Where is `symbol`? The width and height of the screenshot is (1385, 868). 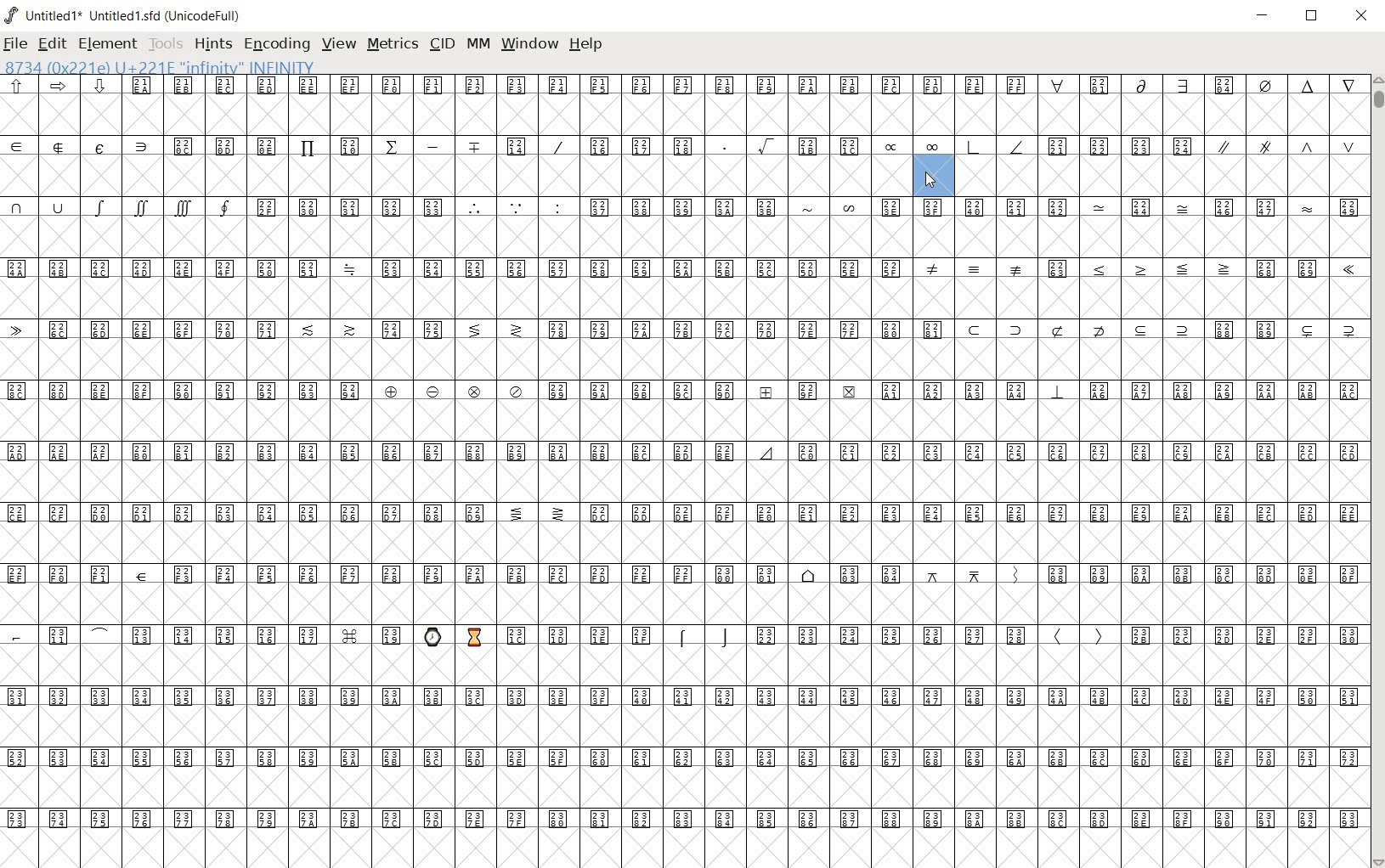 symbol is located at coordinates (1348, 270).